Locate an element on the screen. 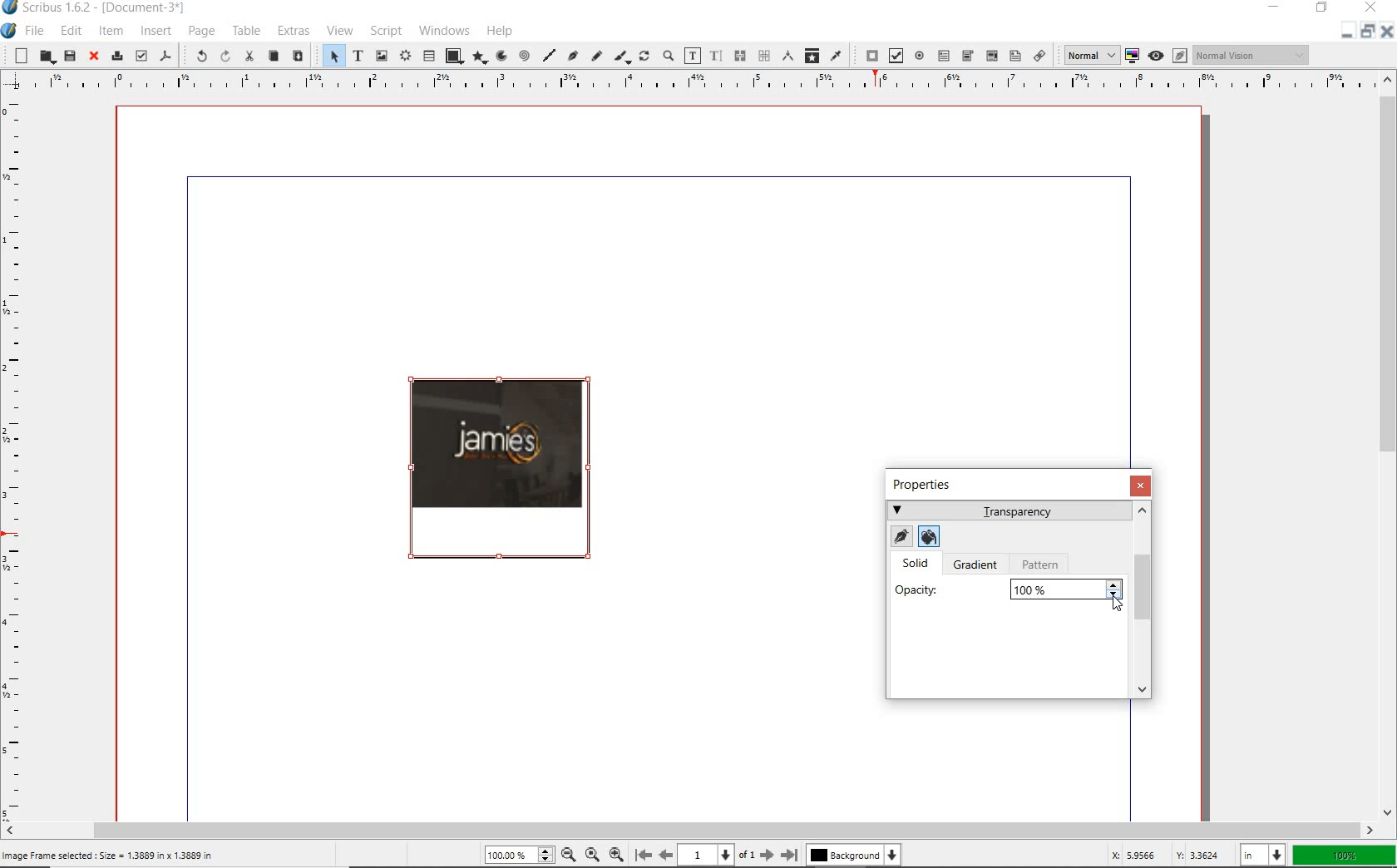 The image size is (1397, 868). calligraphic line is located at coordinates (621, 57).